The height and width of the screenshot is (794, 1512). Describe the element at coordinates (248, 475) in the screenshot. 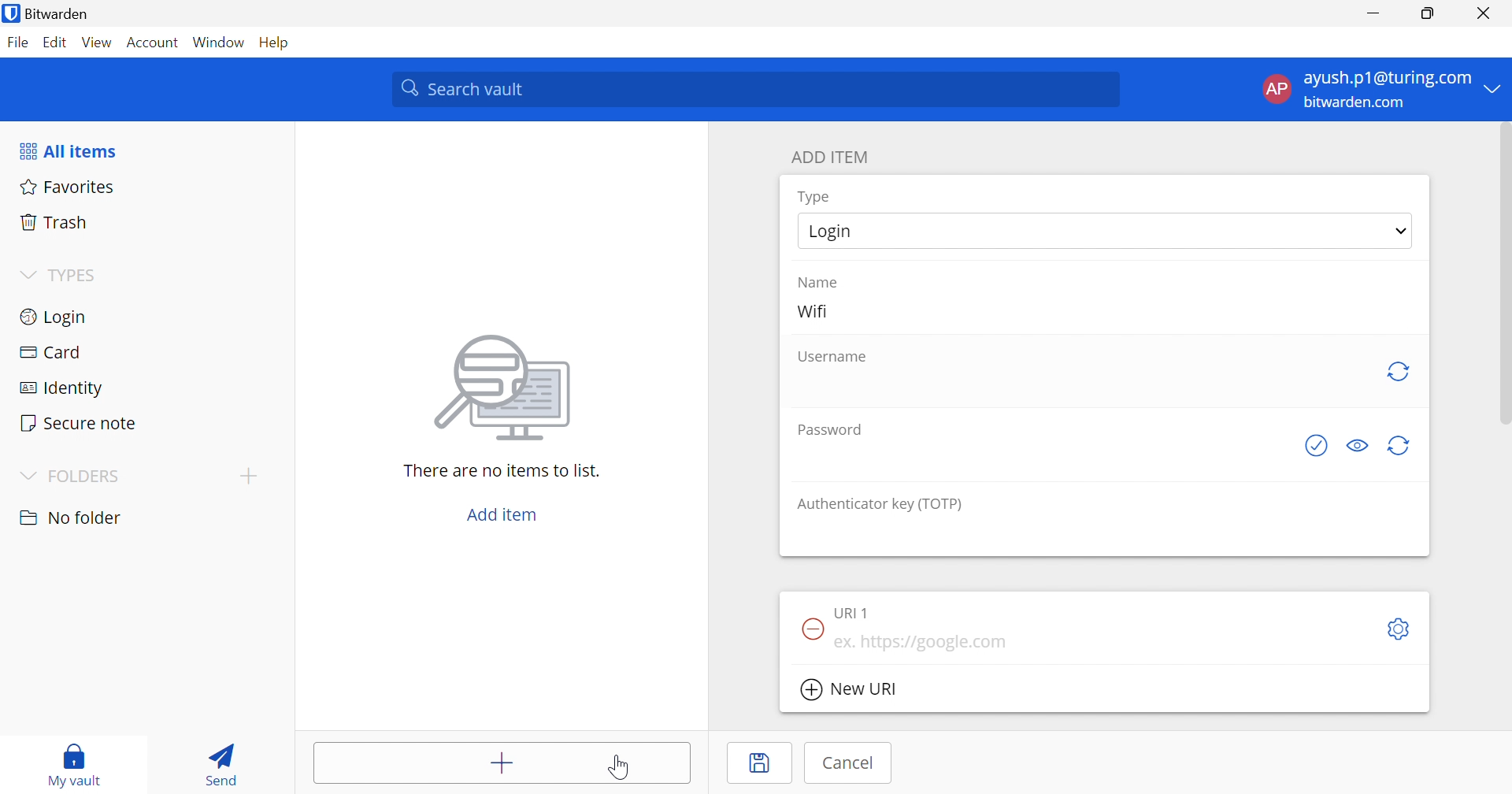

I see `Drop Down` at that location.